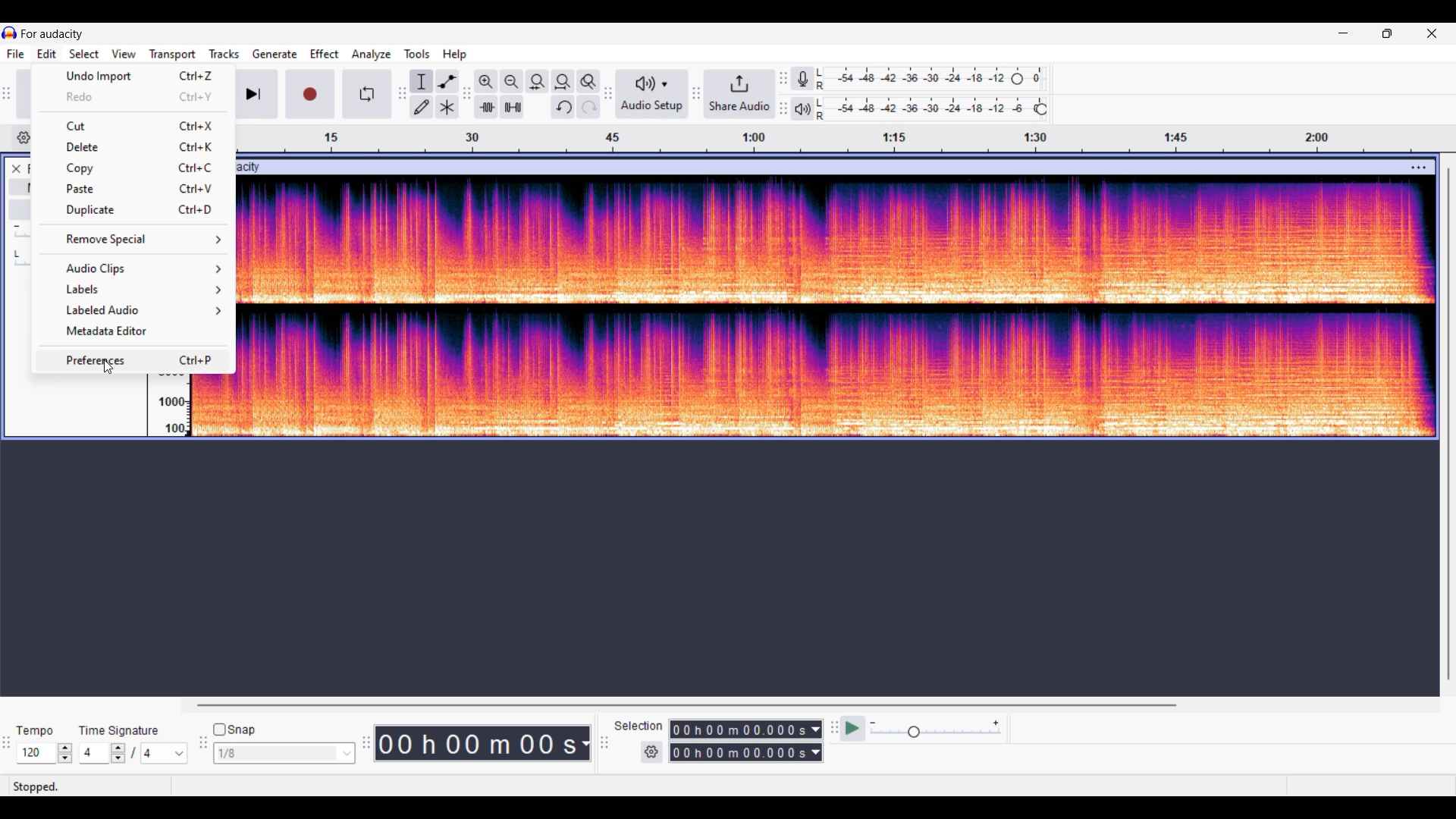 Image resolution: width=1456 pixels, height=819 pixels. What do you see at coordinates (47, 54) in the screenshot?
I see `Edit menu` at bounding box center [47, 54].